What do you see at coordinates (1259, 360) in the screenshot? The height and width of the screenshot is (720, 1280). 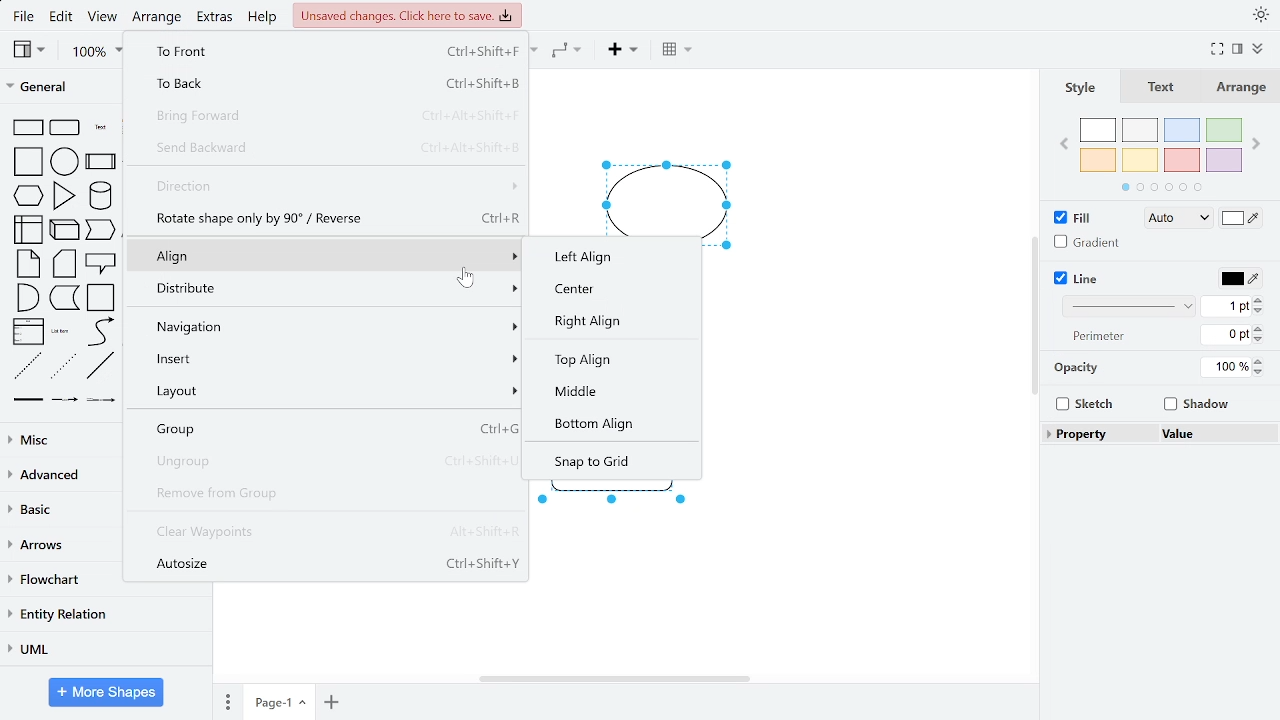 I see `increase opacity` at bounding box center [1259, 360].